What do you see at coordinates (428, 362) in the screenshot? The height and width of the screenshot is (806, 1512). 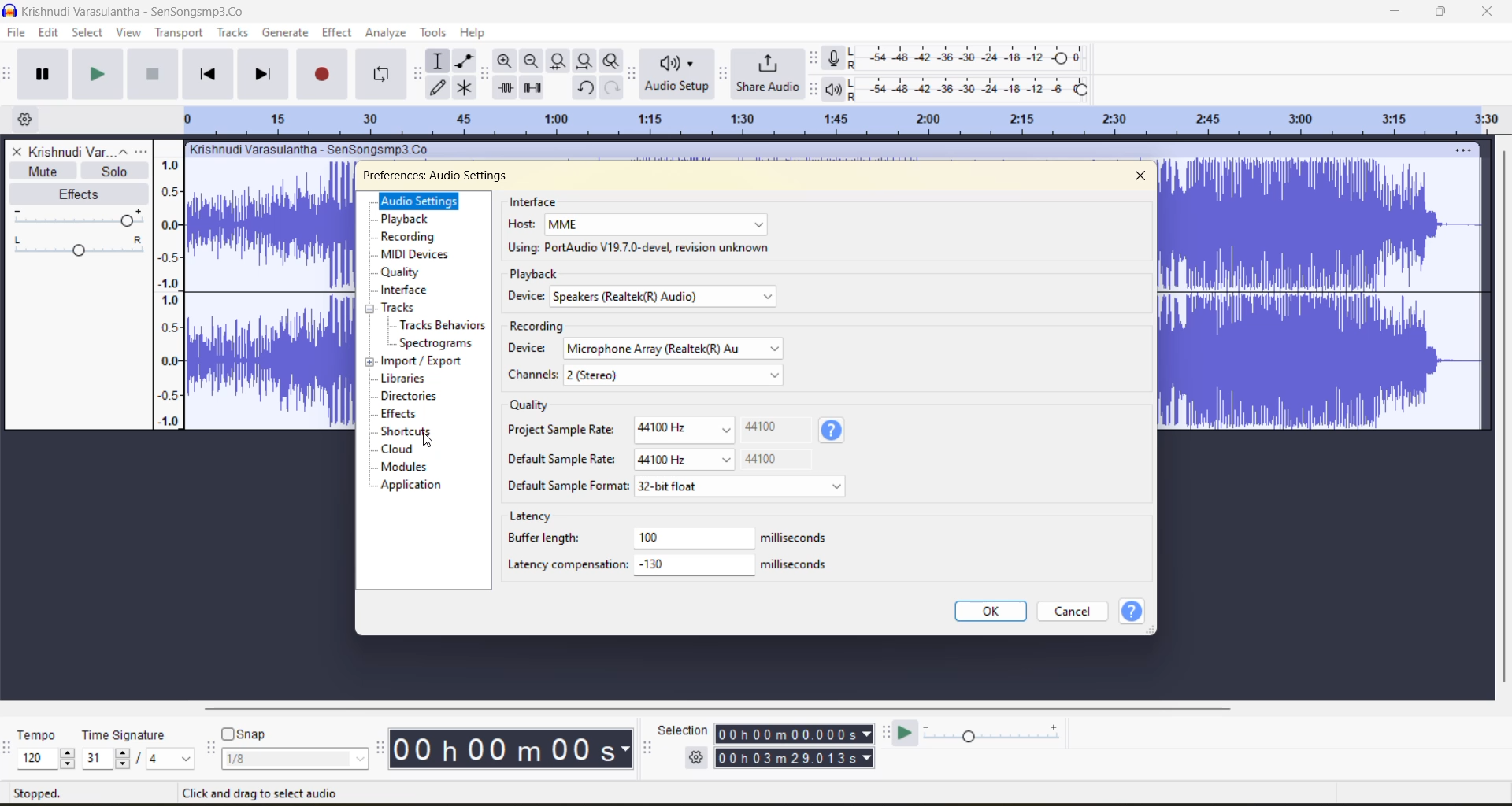 I see `import/export` at bounding box center [428, 362].